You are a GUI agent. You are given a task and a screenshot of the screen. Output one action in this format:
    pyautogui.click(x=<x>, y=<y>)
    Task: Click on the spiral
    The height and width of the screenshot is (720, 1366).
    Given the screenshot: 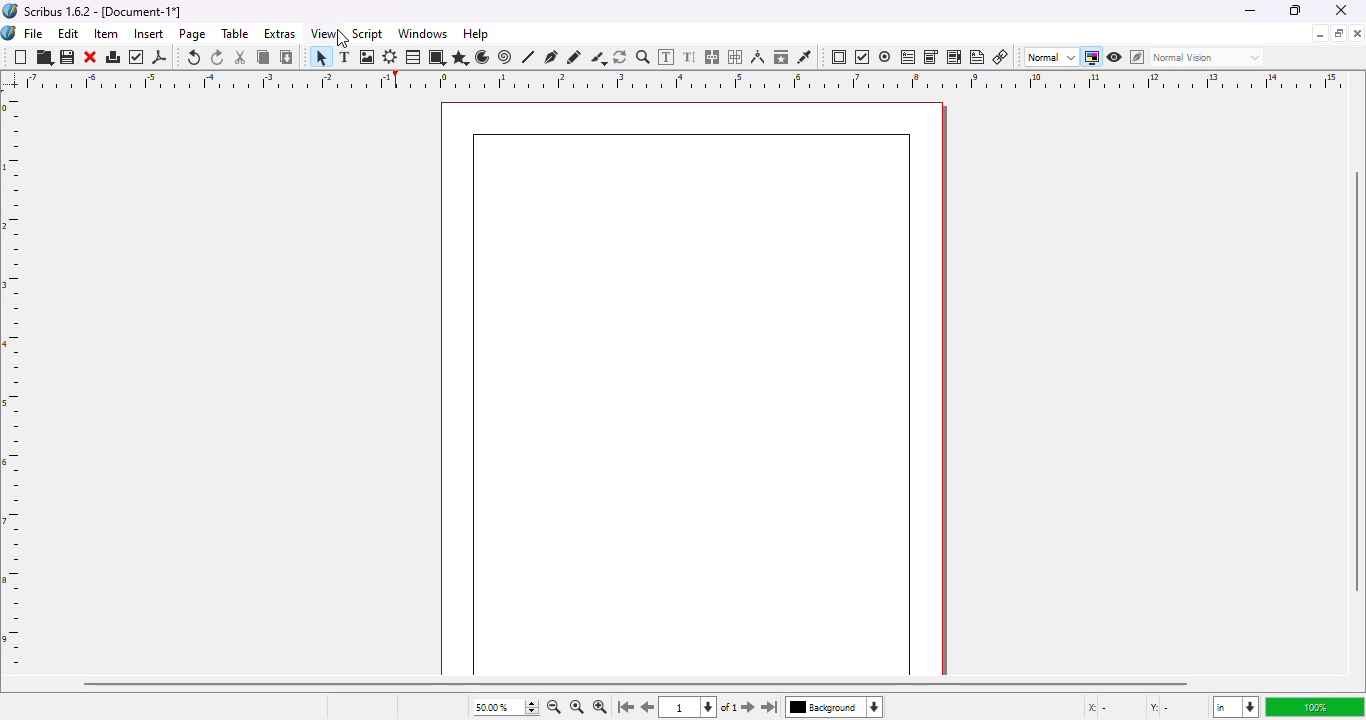 What is the action you would take?
    pyautogui.click(x=505, y=57)
    